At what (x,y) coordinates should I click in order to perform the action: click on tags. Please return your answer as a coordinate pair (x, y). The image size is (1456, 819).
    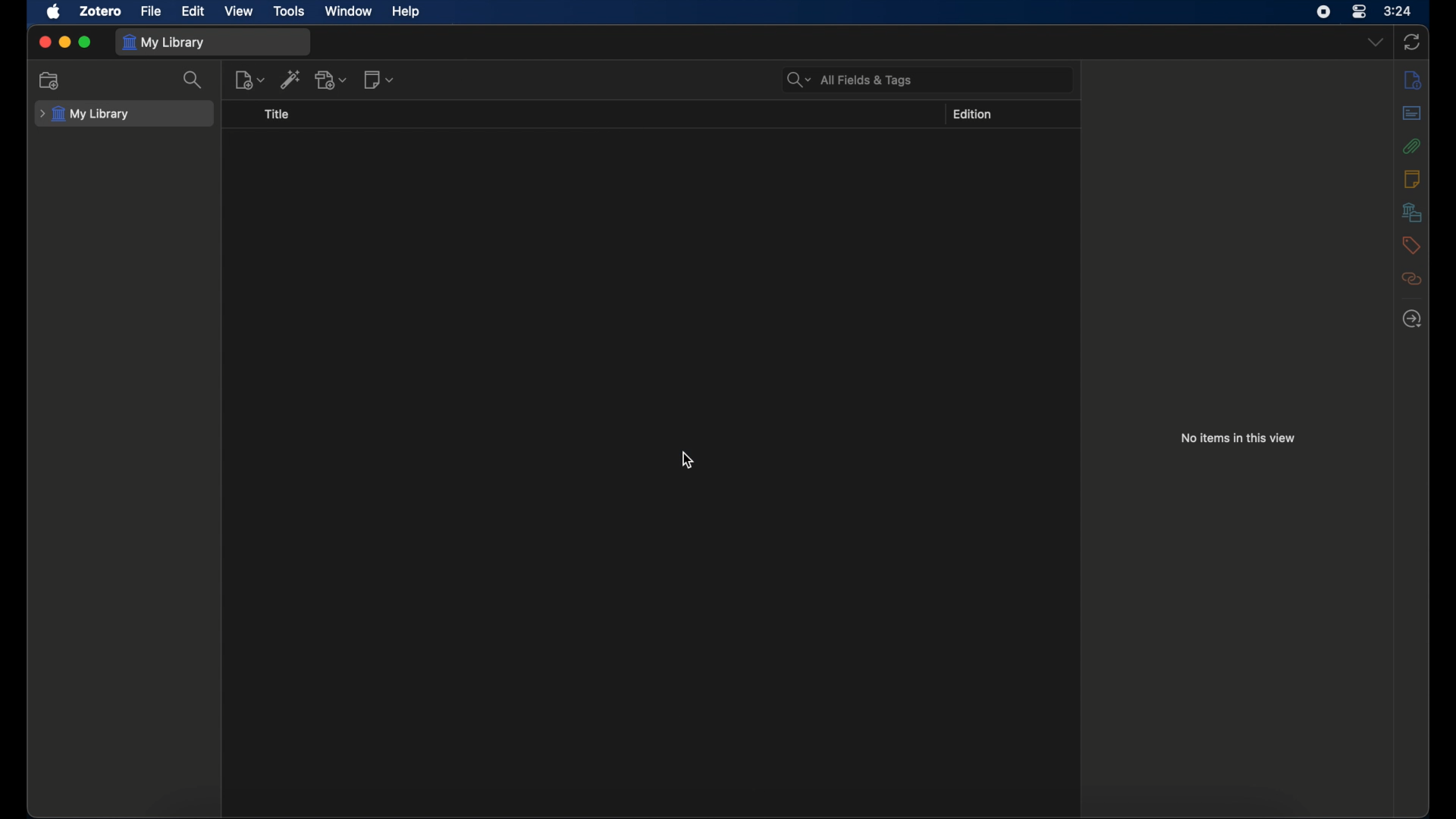
    Looking at the image, I should click on (1410, 245).